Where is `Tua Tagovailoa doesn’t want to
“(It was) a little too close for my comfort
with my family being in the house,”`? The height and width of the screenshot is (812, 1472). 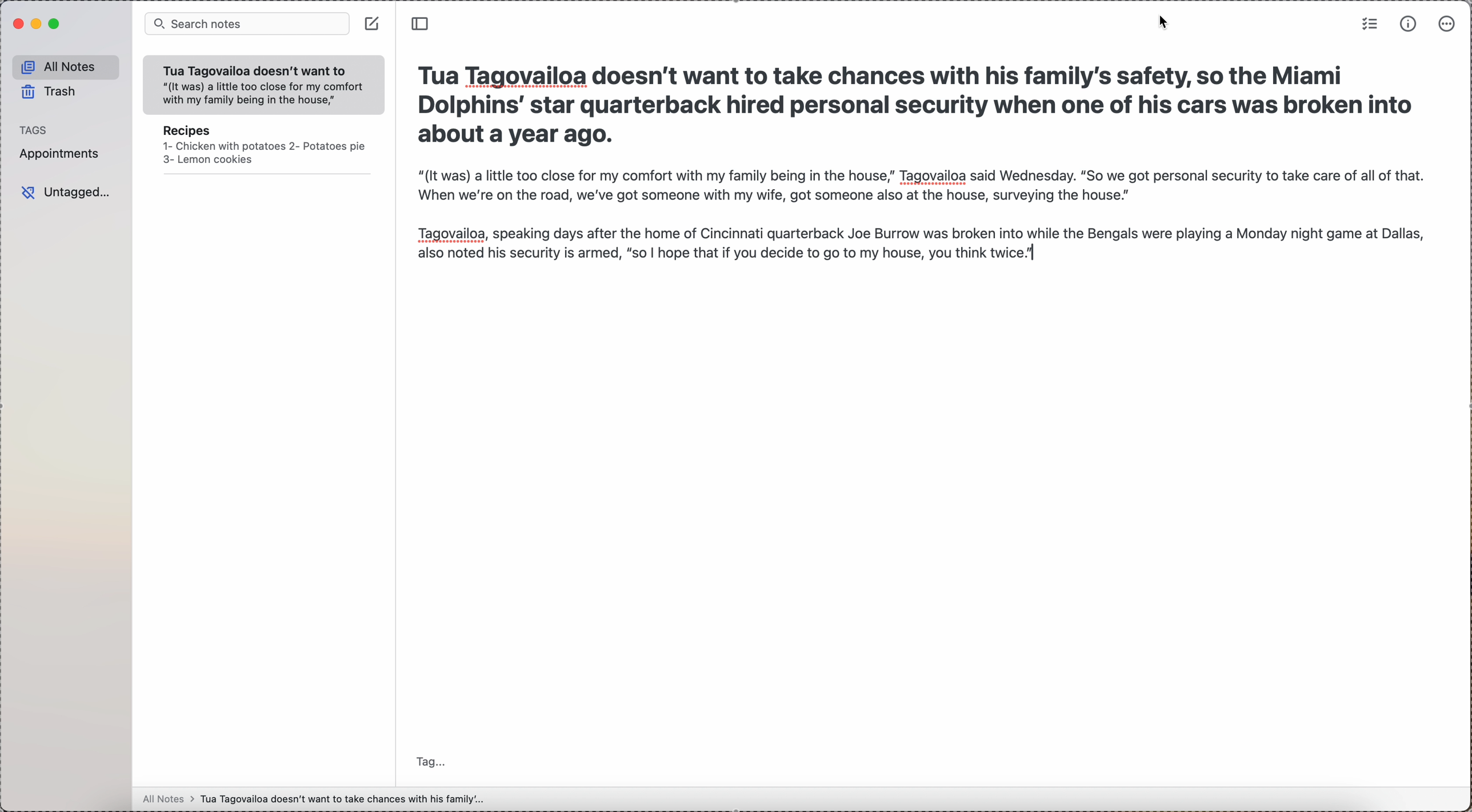
Tua Tagovailoa doesn’t want to
“(It was) a little too close for my comfort
with my family being in the house,” is located at coordinates (258, 83).